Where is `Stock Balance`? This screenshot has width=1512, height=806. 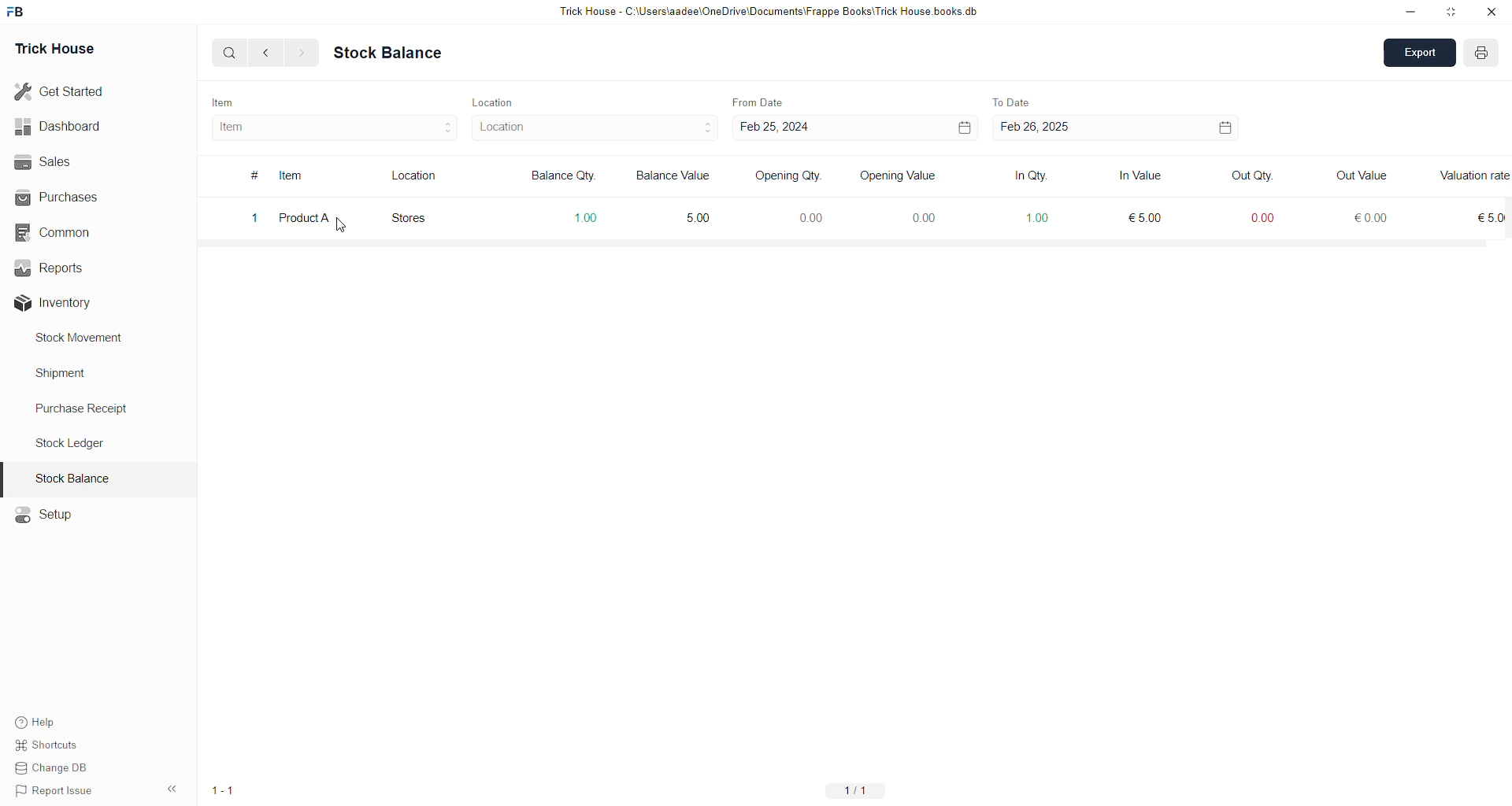
Stock Balance is located at coordinates (399, 54).